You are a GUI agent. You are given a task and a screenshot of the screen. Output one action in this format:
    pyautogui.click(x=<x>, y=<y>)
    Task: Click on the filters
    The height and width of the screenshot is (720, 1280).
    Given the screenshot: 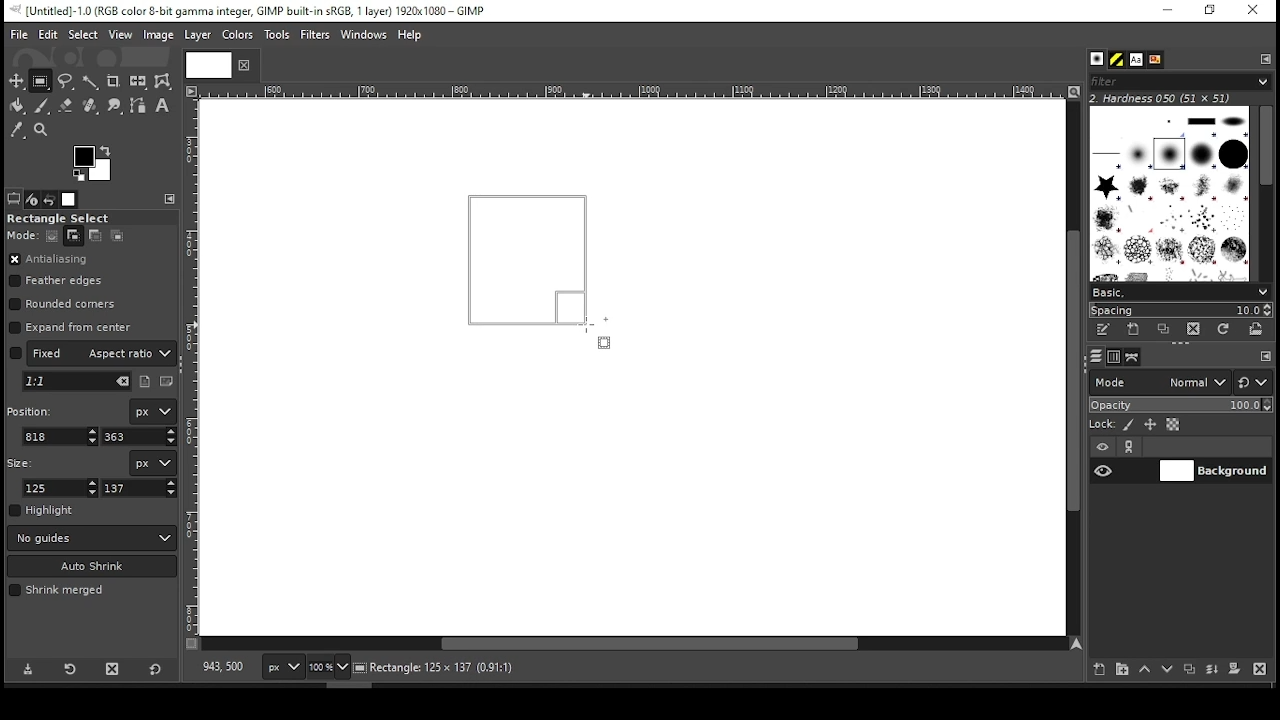 What is the action you would take?
    pyautogui.click(x=1177, y=82)
    